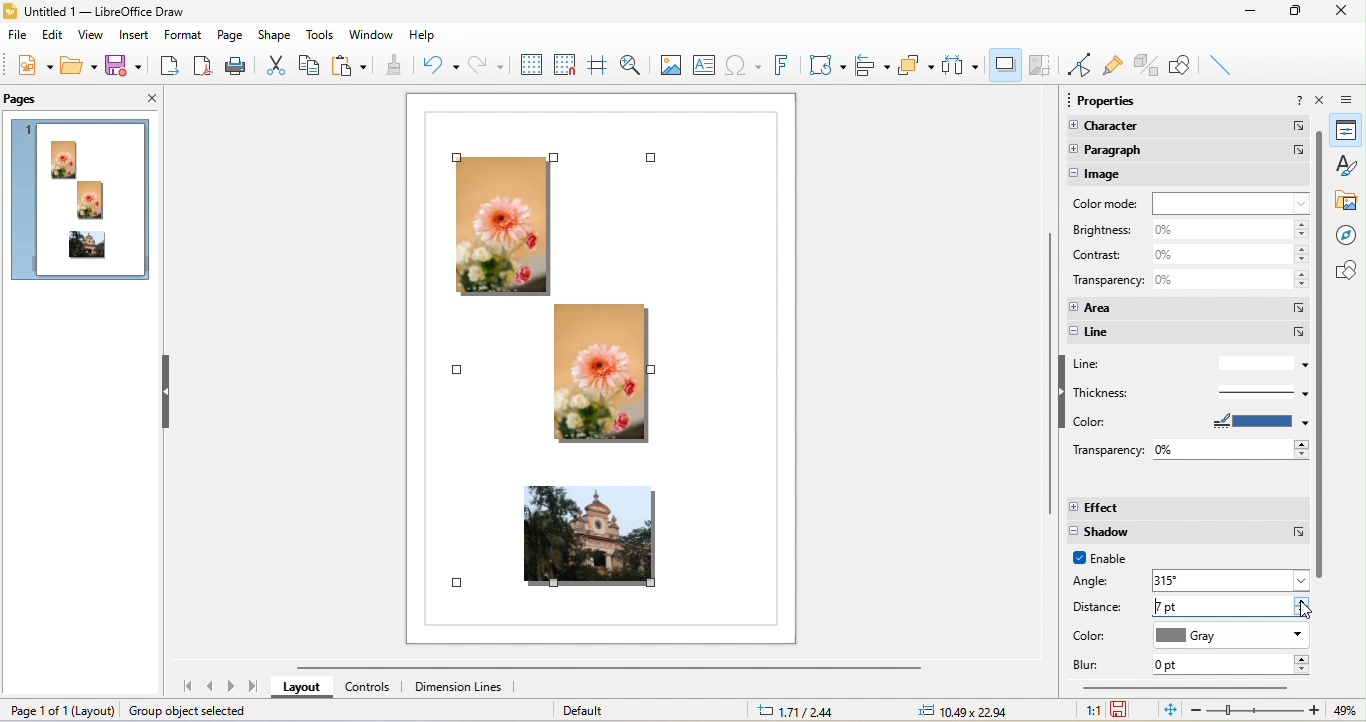 The height and width of the screenshot is (722, 1366). I want to click on paragraph, so click(1188, 151).